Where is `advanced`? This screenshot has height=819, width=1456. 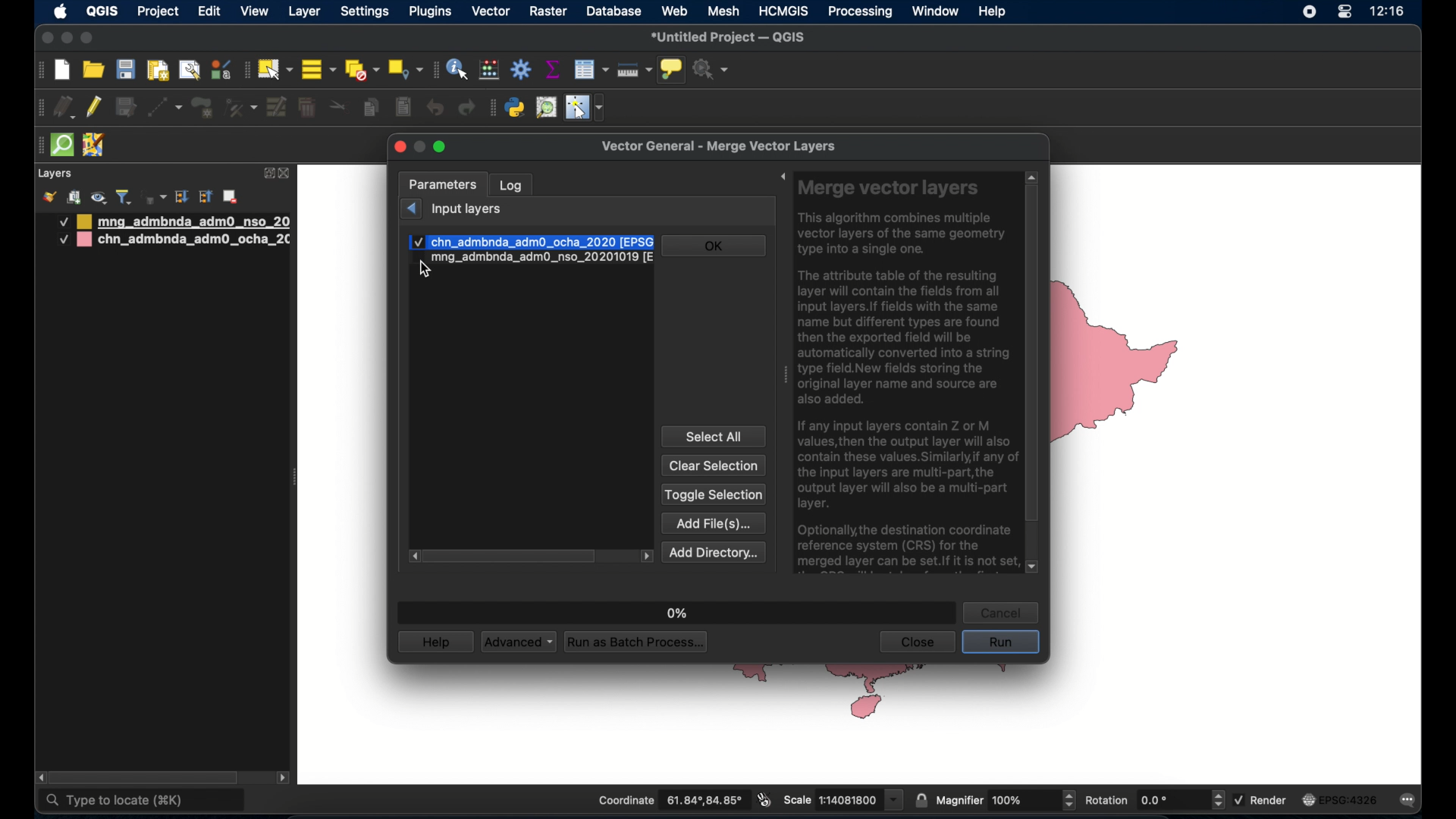
advanced is located at coordinates (518, 642).